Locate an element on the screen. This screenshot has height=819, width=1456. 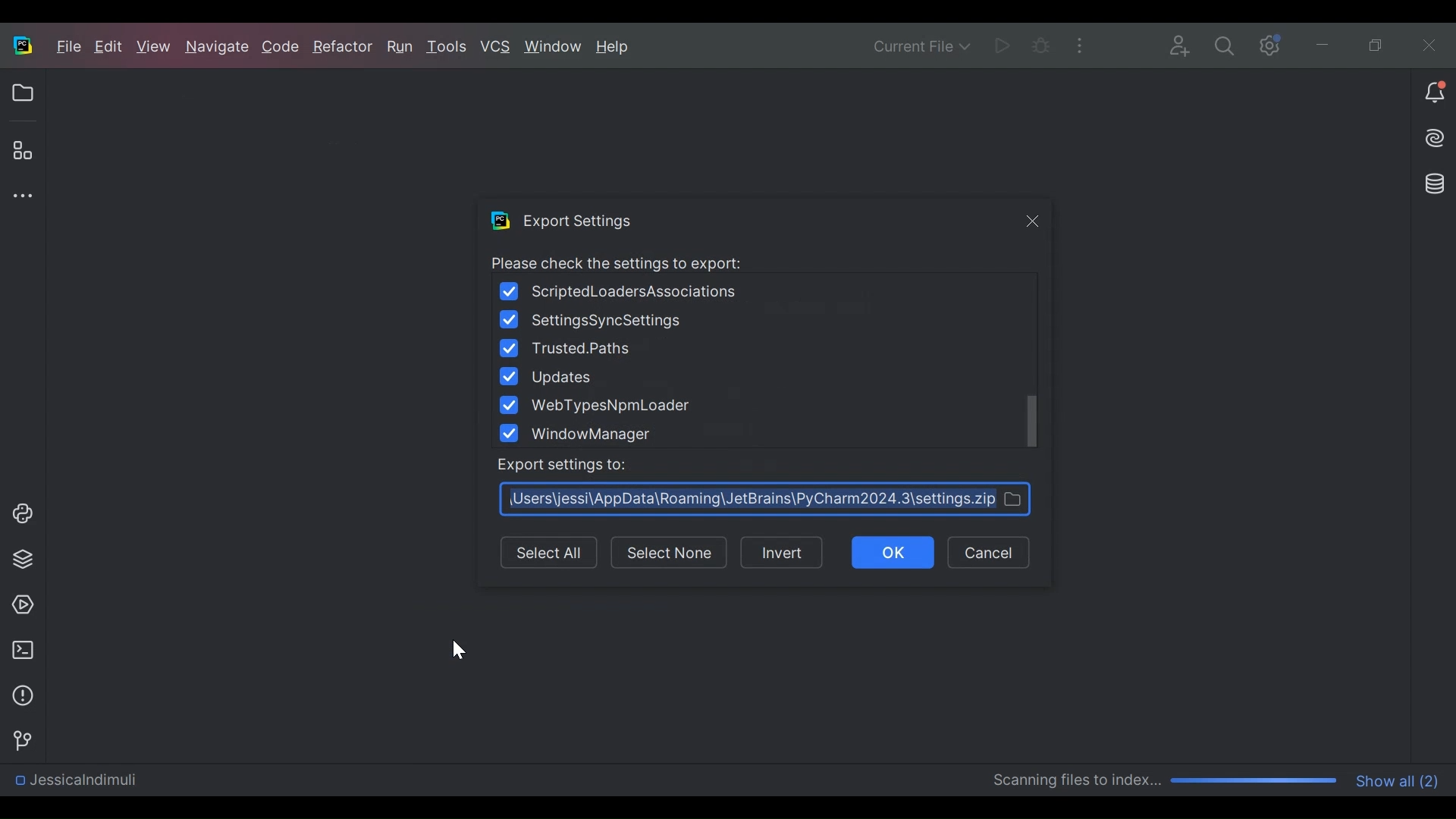
Run is located at coordinates (402, 47).